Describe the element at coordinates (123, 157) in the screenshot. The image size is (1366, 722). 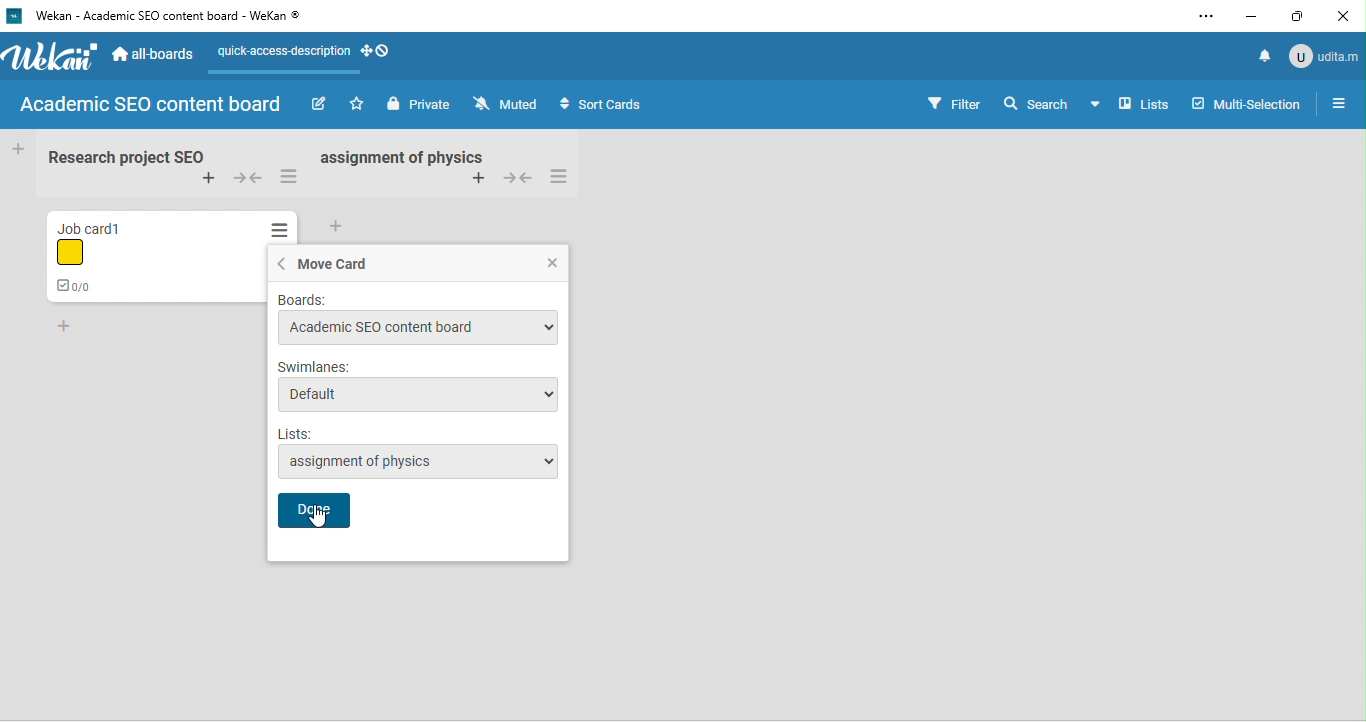
I see `list name` at that location.